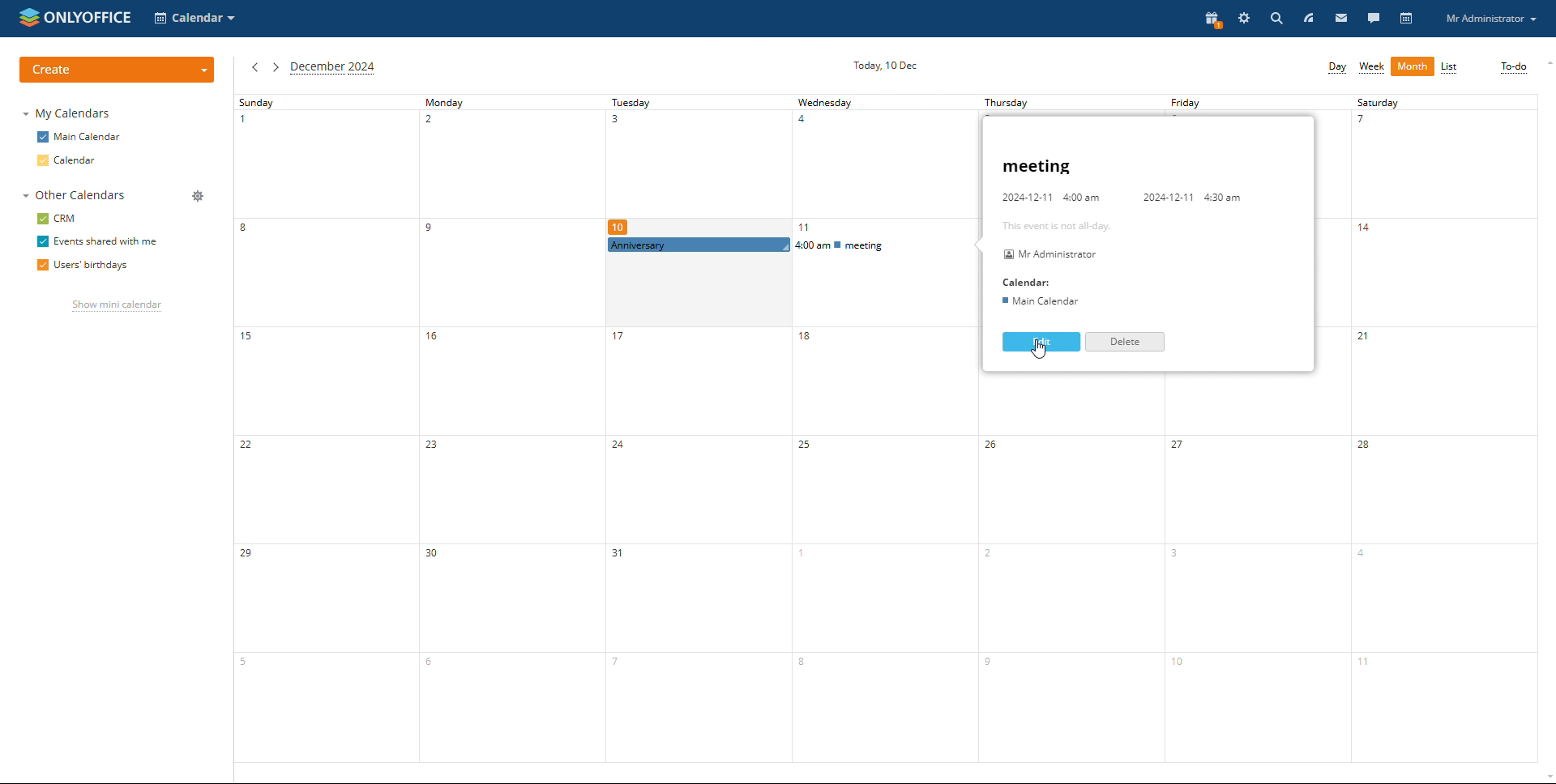 The width and height of the screenshot is (1556, 784). Describe the element at coordinates (885, 66) in the screenshot. I see `current date` at that location.